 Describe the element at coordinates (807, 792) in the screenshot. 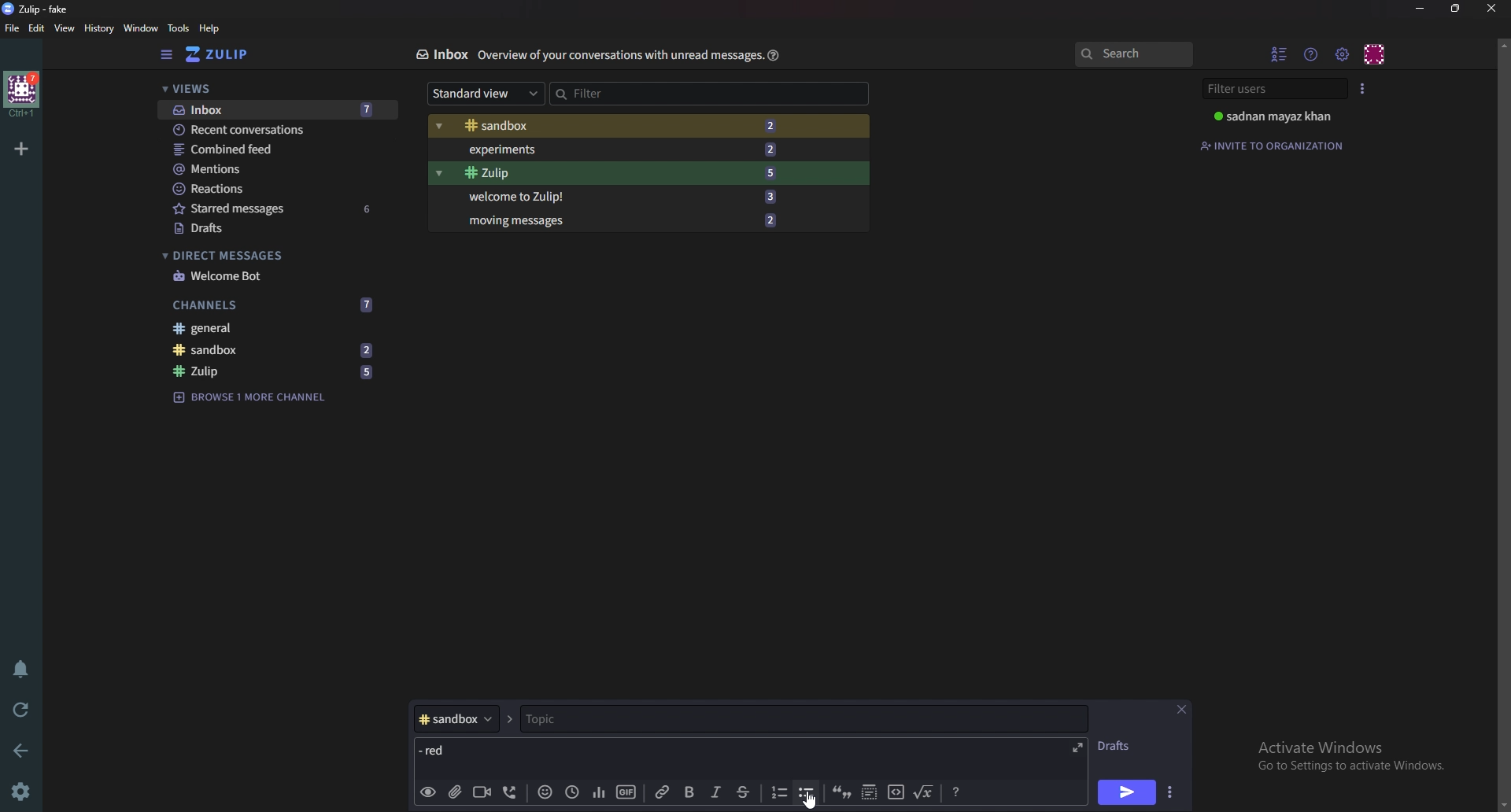

I see `Bullet list` at that location.